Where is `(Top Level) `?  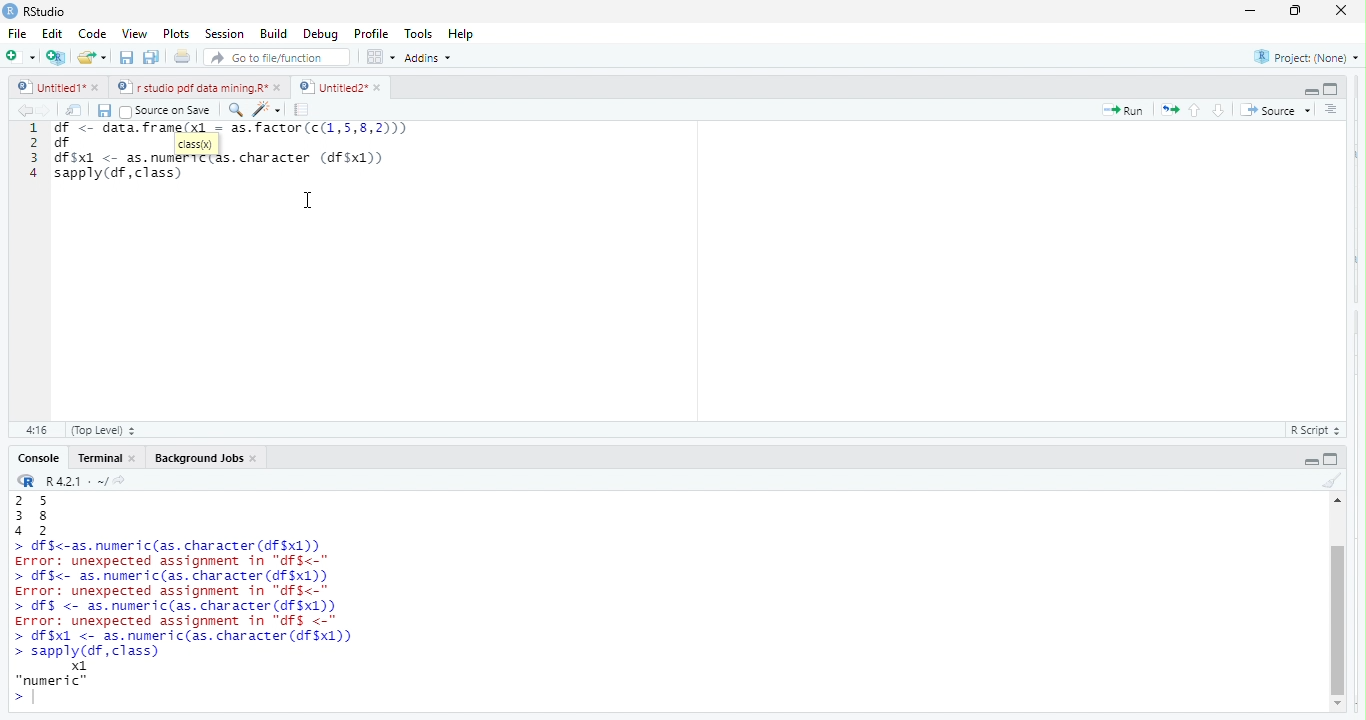
(Top Level)  is located at coordinates (100, 430).